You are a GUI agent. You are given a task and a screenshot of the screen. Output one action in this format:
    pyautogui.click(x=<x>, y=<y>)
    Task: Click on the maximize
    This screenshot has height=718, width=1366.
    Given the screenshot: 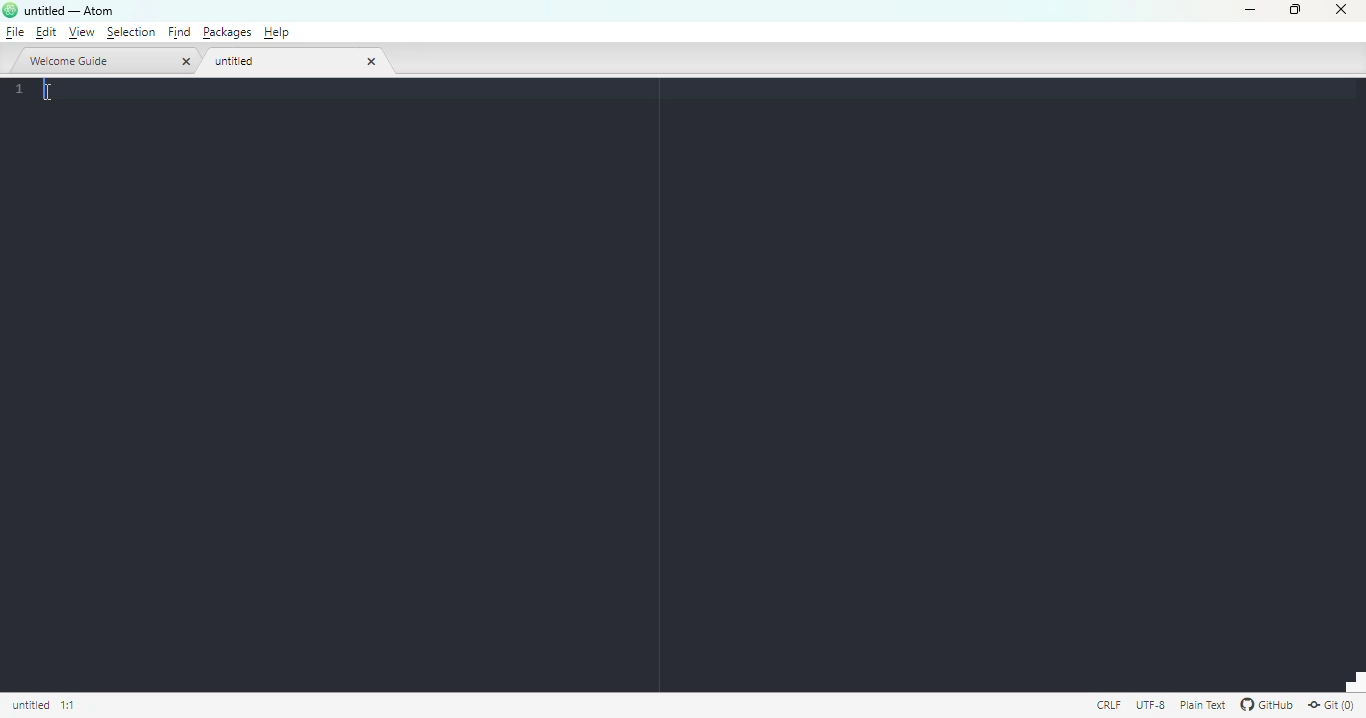 What is the action you would take?
    pyautogui.click(x=1294, y=8)
    